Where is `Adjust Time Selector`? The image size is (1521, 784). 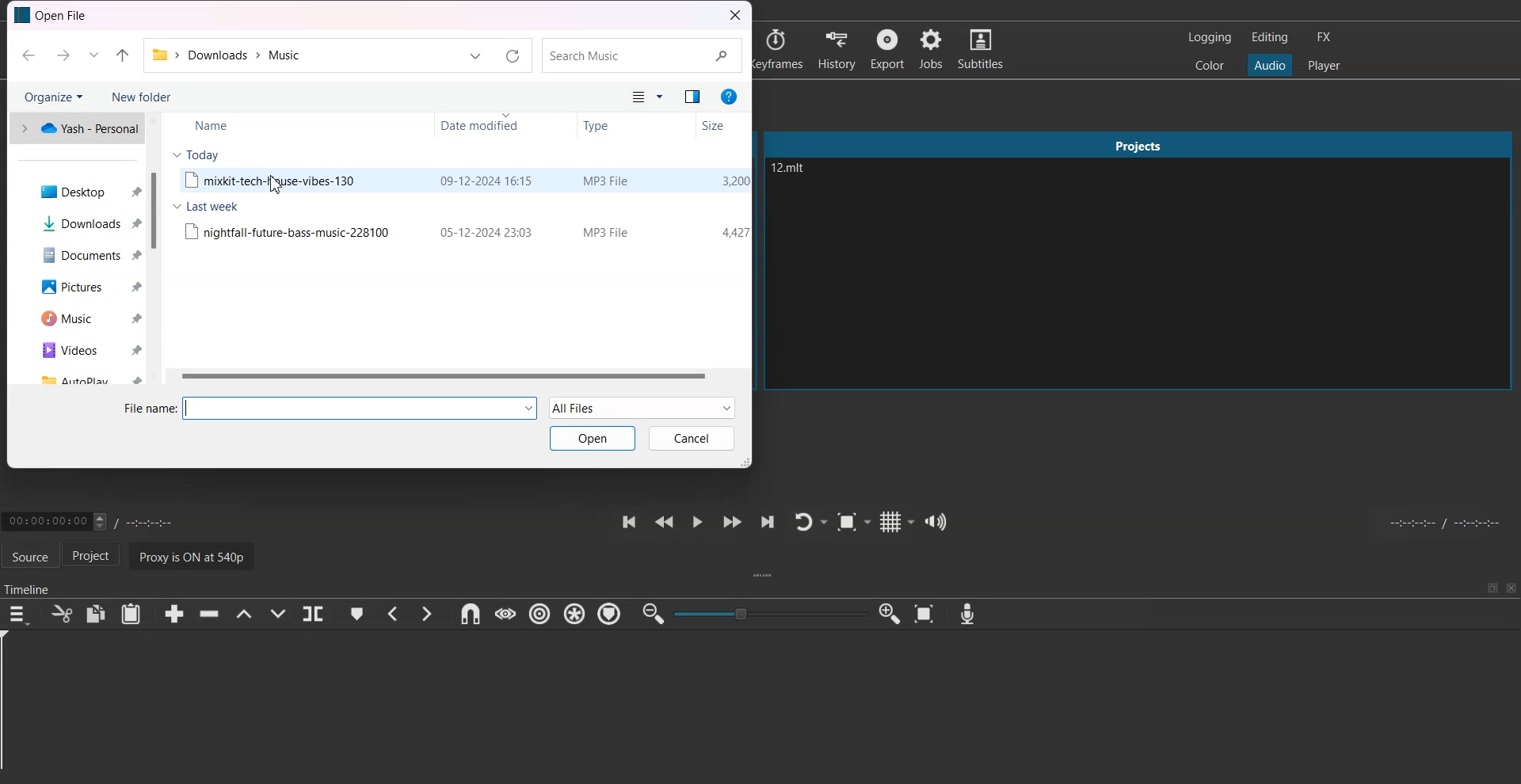
Adjust Time Selector is located at coordinates (93, 519).